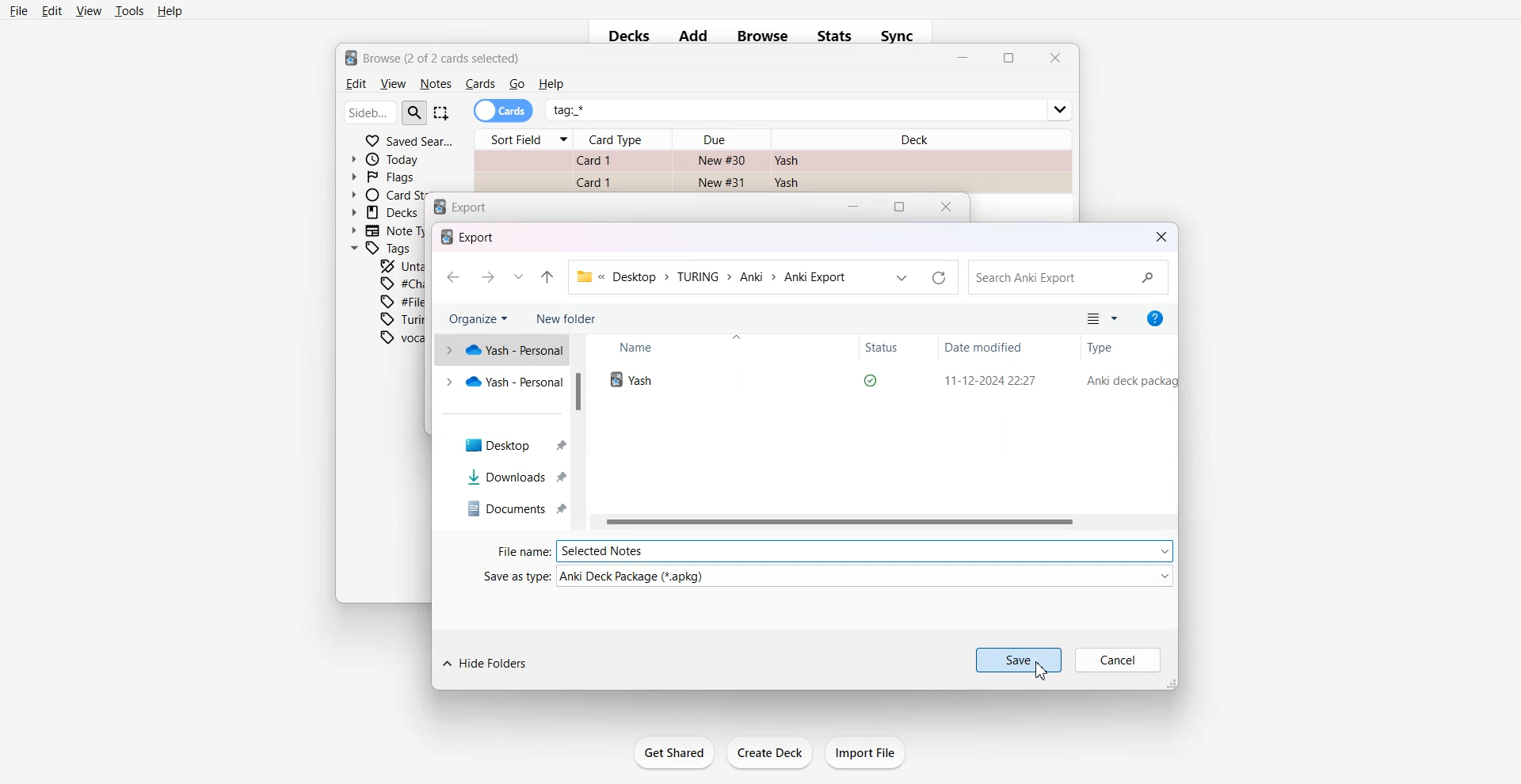 This screenshot has width=1521, height=784. What do you see at coordinates (19, 10) in the screenshot?
I see `File` at bounding box center [19, 10].